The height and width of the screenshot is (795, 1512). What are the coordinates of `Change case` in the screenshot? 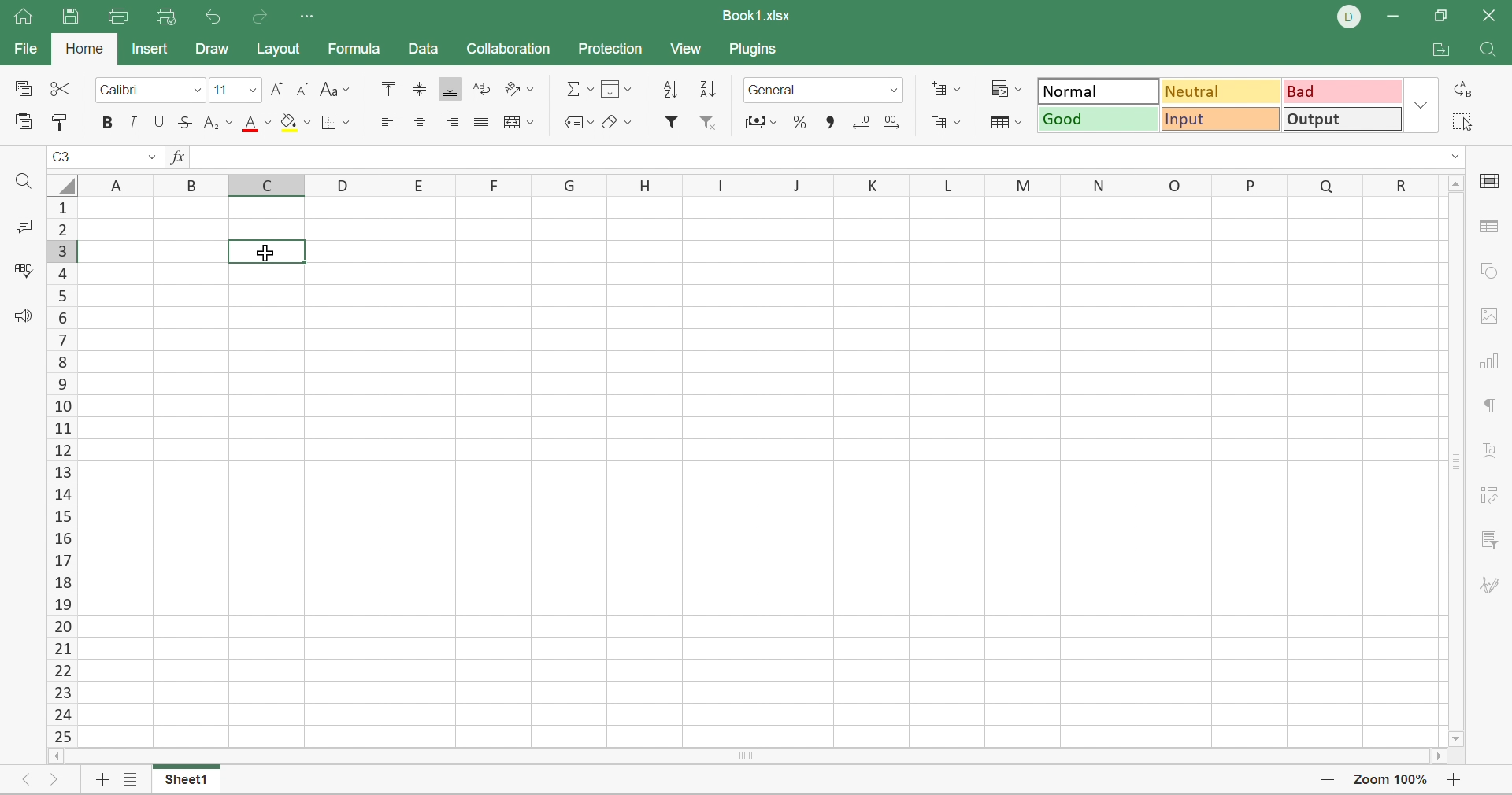 It's located at (338, 89).